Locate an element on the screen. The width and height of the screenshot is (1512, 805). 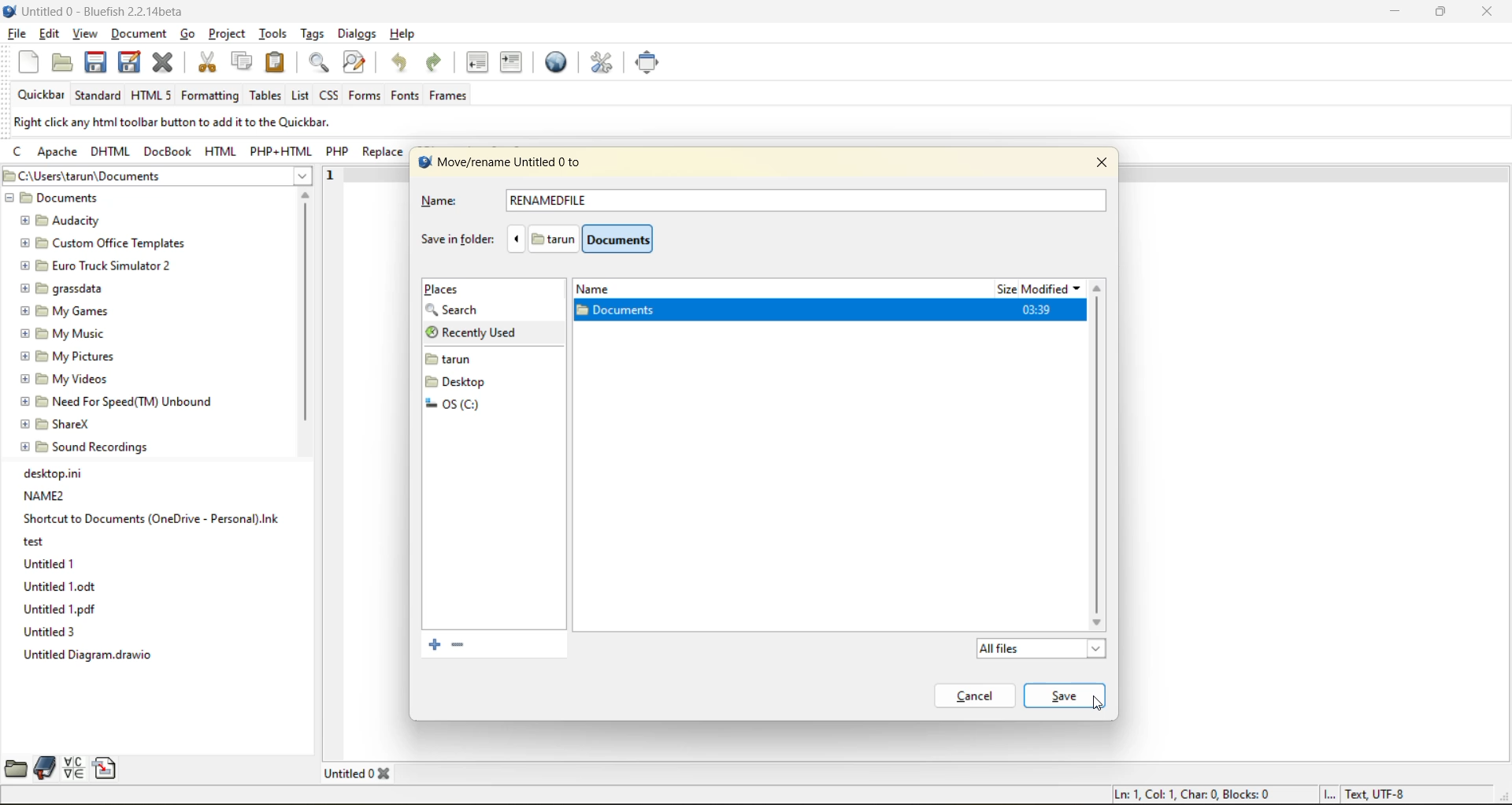
new file name is located at coordinates (553, 202).